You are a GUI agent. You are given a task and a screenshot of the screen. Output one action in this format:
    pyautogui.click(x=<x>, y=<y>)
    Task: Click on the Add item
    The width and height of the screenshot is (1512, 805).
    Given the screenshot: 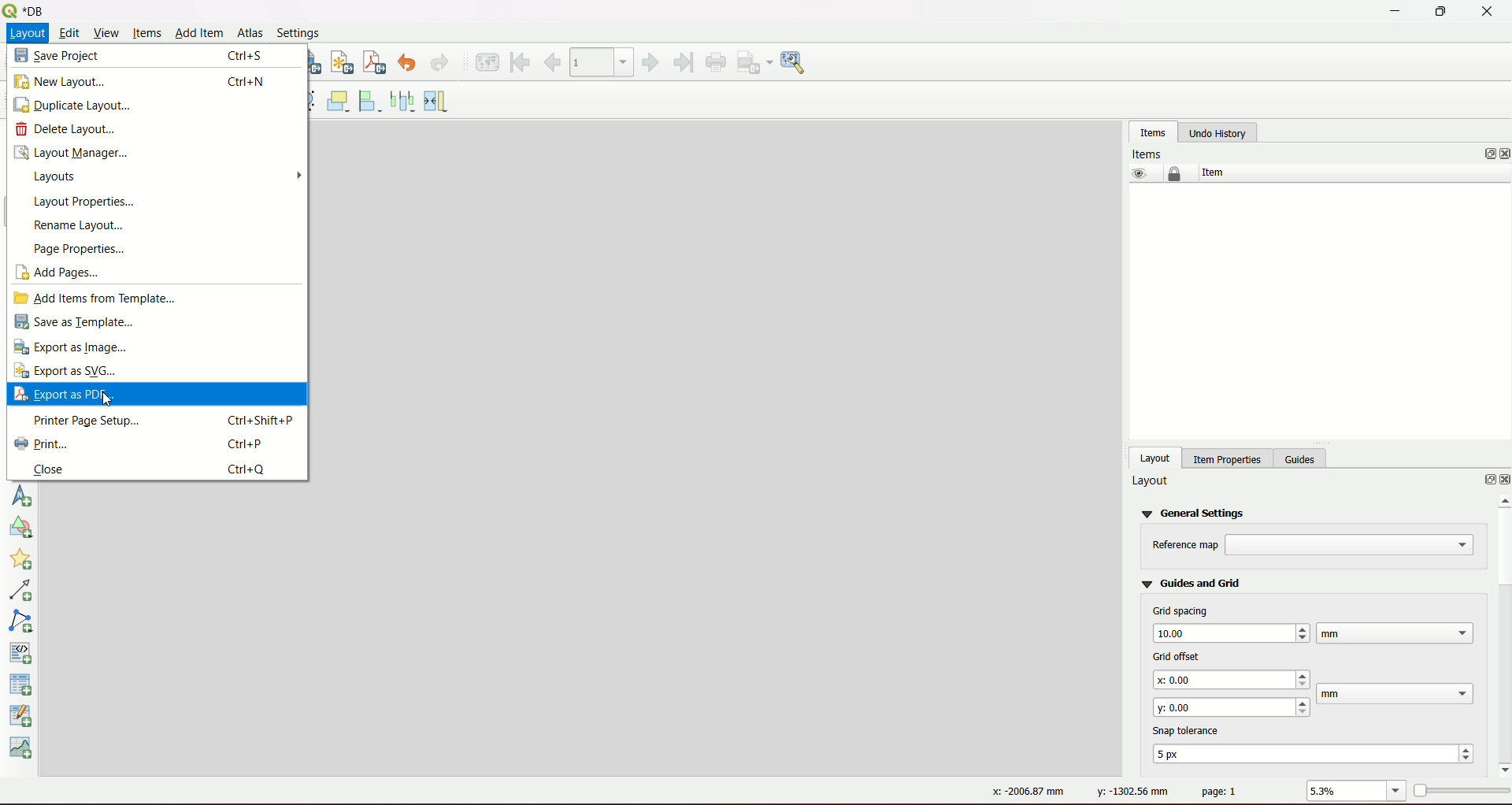 What is the action you would take?
    pyautogui.click(x=198, y=32)
    